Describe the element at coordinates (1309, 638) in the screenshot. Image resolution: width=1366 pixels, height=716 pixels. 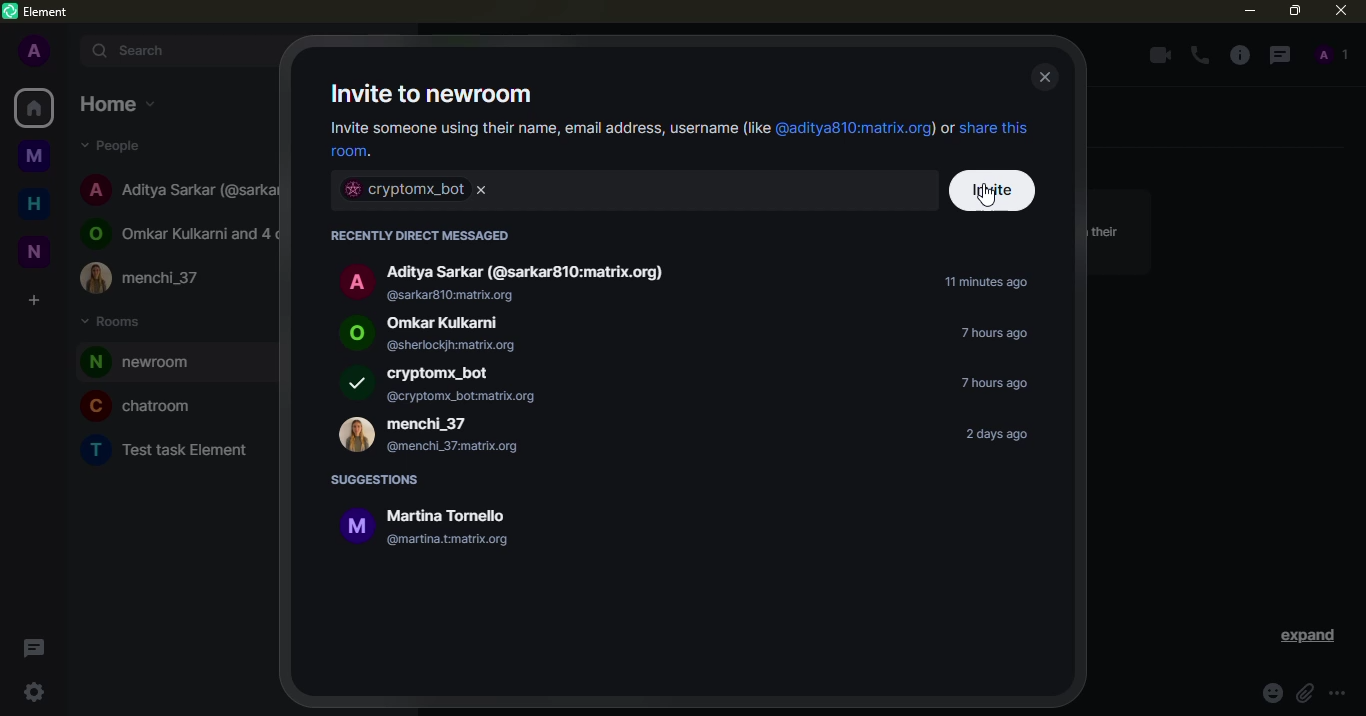
I see `expand` at that location.